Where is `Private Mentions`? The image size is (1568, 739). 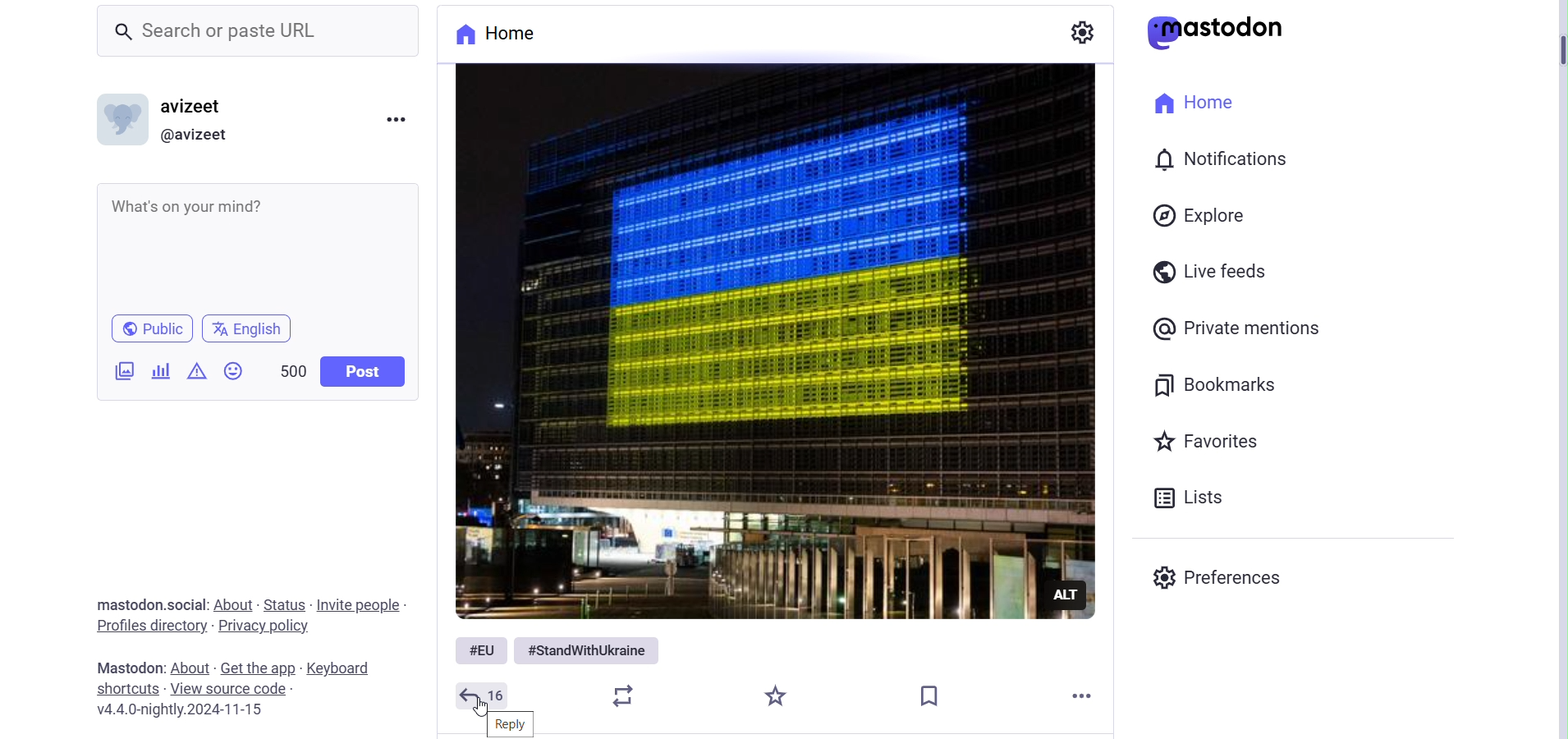 Private Mentions is located at coordinates (1243, 328).